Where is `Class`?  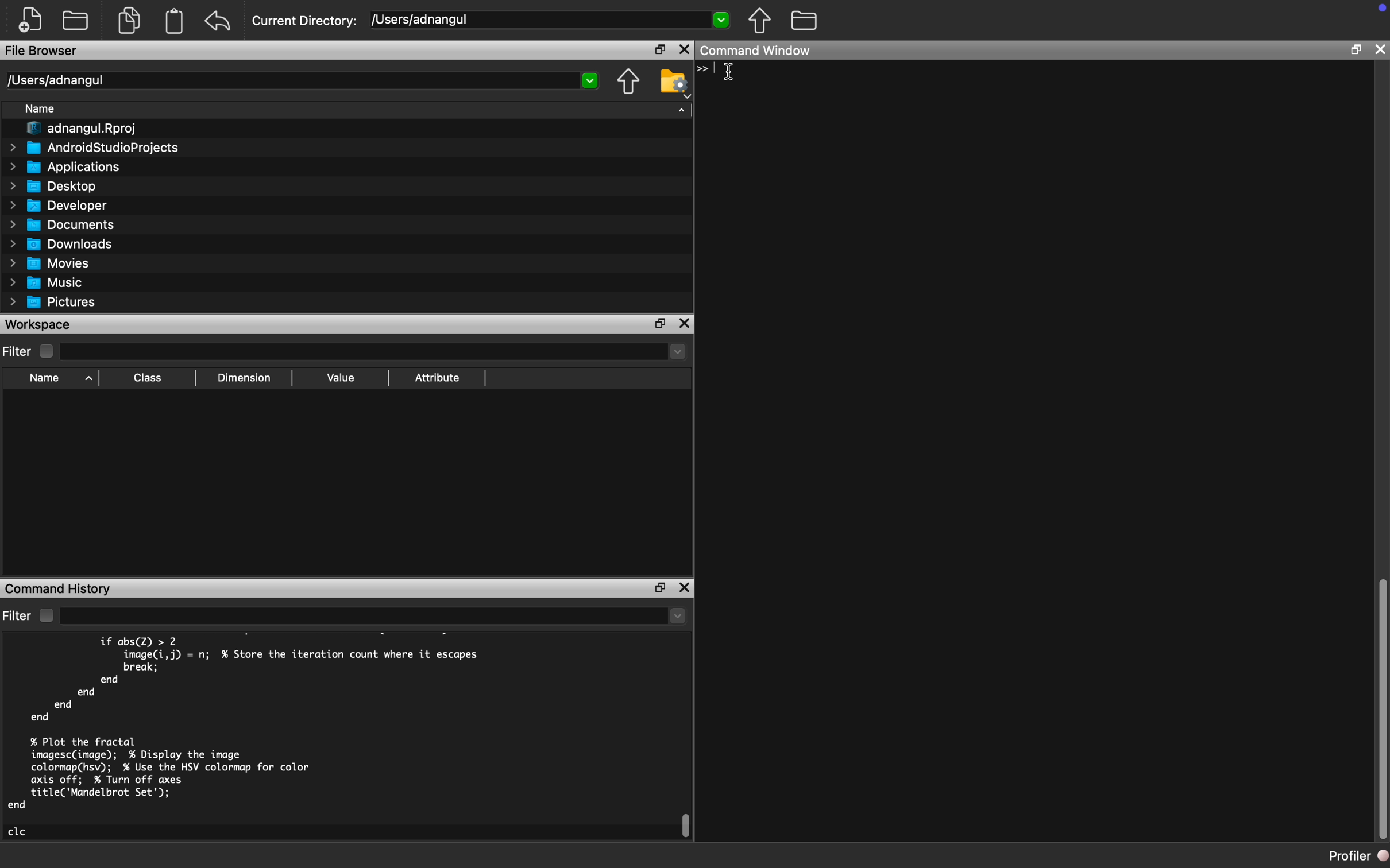 Class is located at coordinates (149, 377).